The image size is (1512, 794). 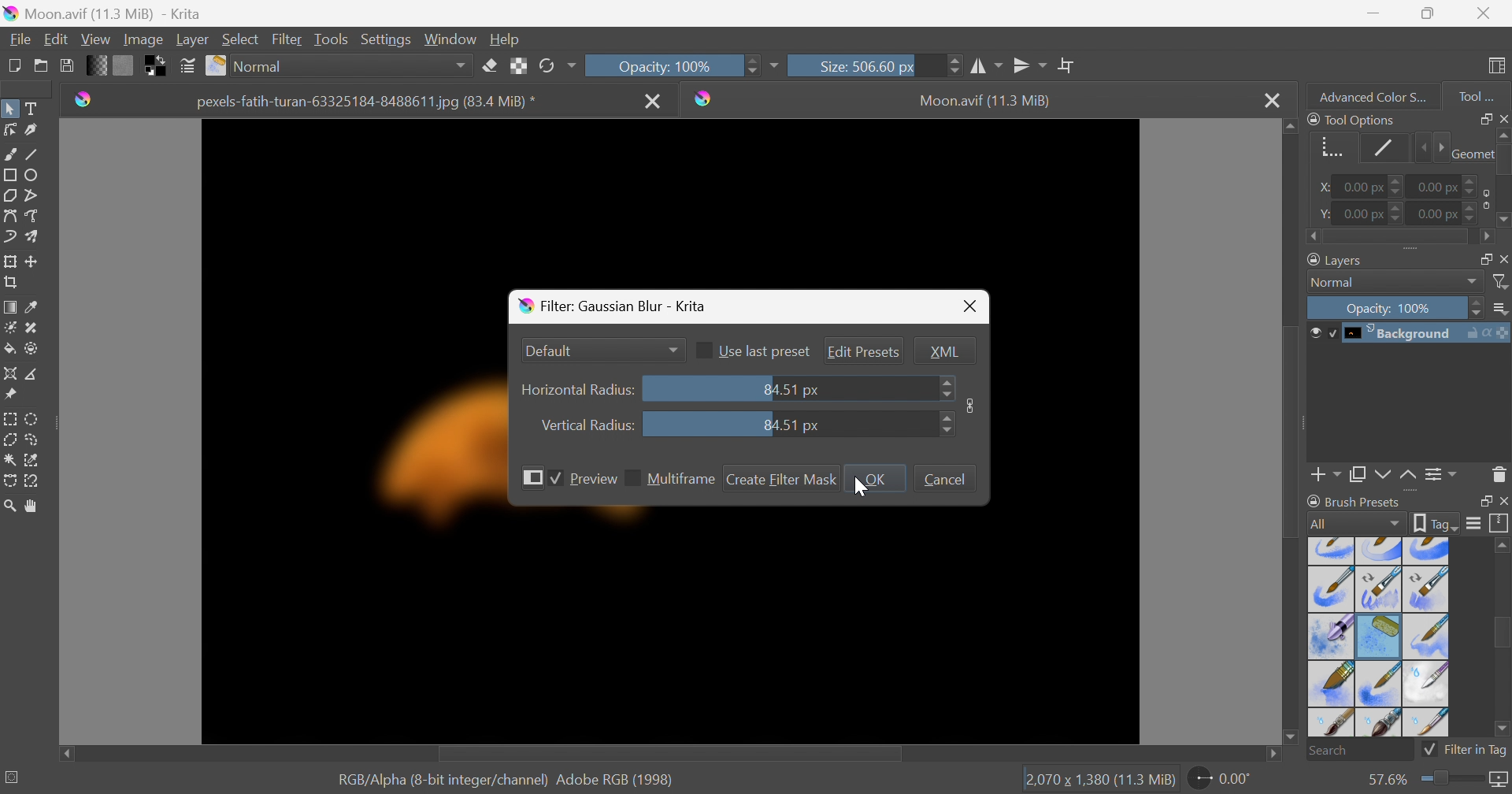 I want to click on Advanced color, so click(x=1379, y=95).